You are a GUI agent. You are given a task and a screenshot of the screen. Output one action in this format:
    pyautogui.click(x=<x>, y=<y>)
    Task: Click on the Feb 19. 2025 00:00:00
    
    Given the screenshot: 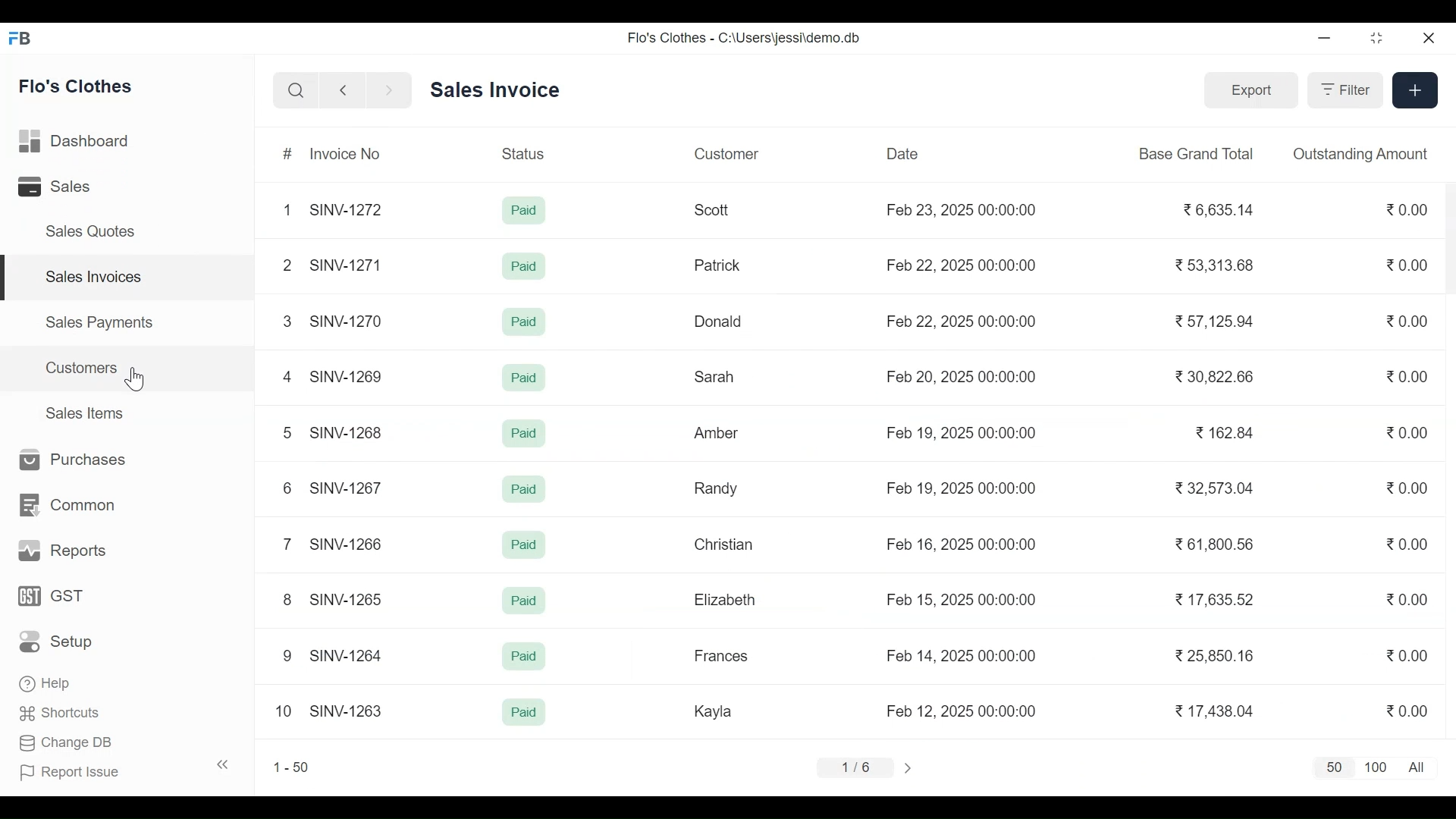 What is the action you would take?
    pyautogui.click(x=965, y=433)
    